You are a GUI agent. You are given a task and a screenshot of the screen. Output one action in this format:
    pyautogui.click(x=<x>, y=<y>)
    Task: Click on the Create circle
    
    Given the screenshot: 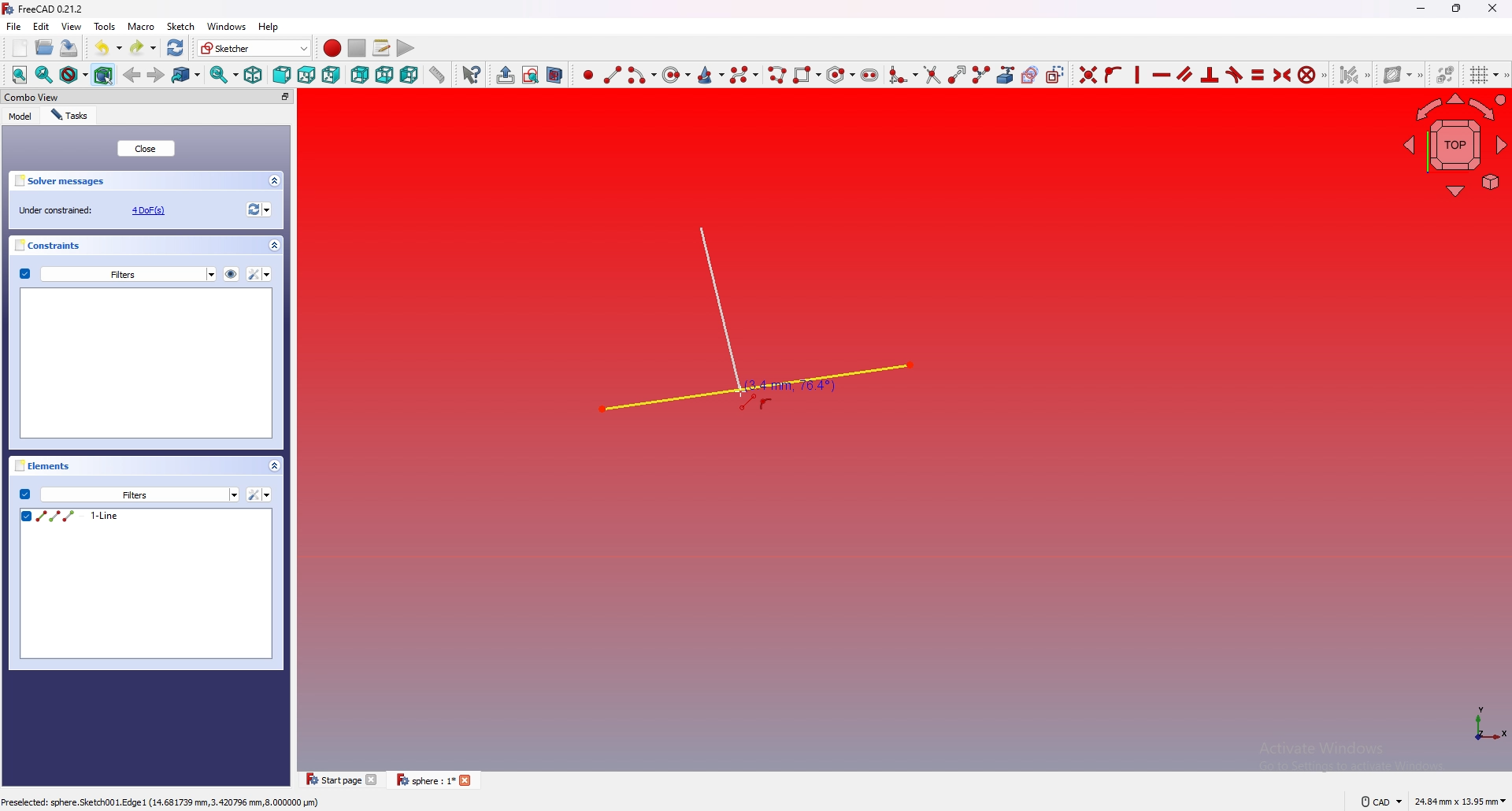 What is the action you would take?
    pyautogui.click(x=676, y=75)
    